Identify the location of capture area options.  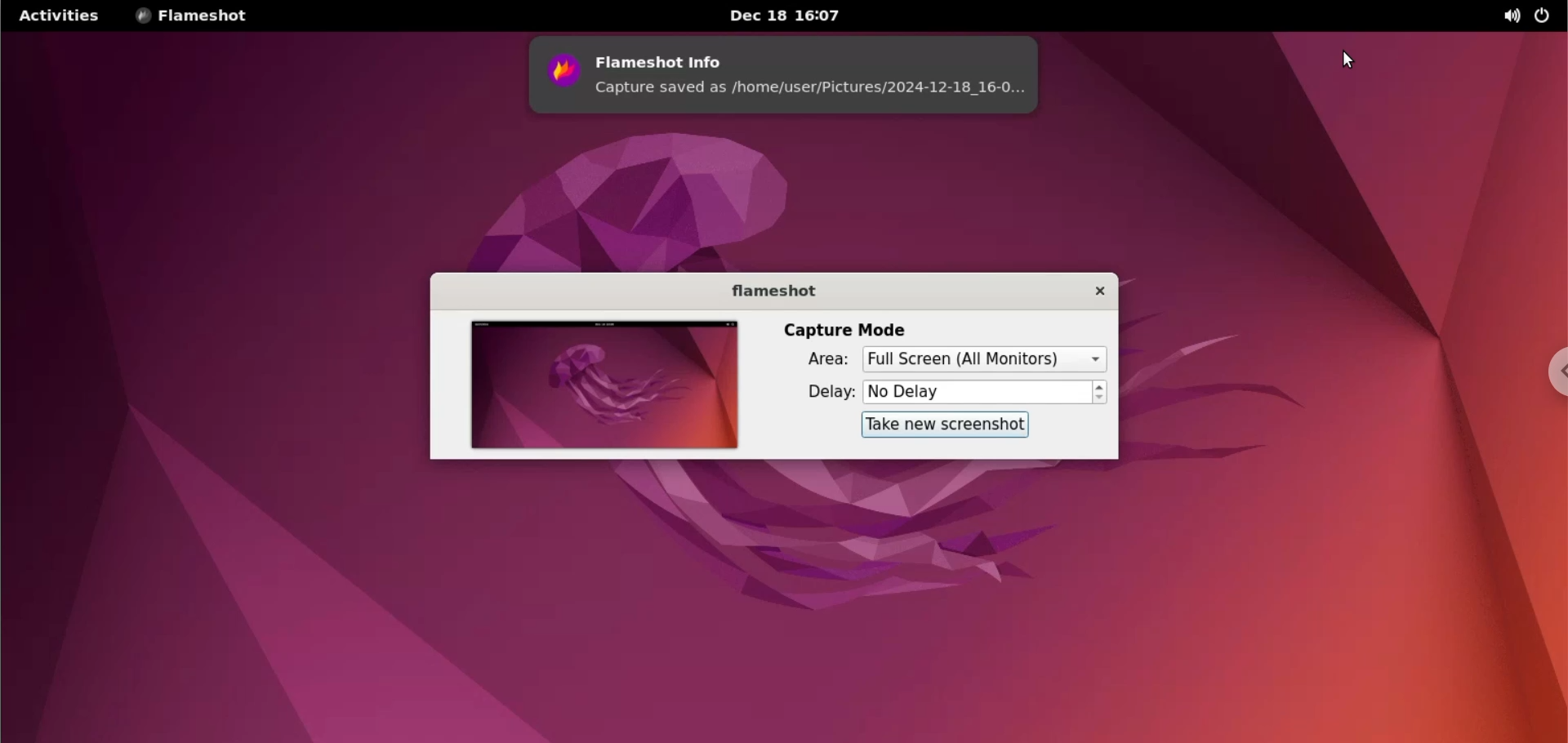
(982, 359).